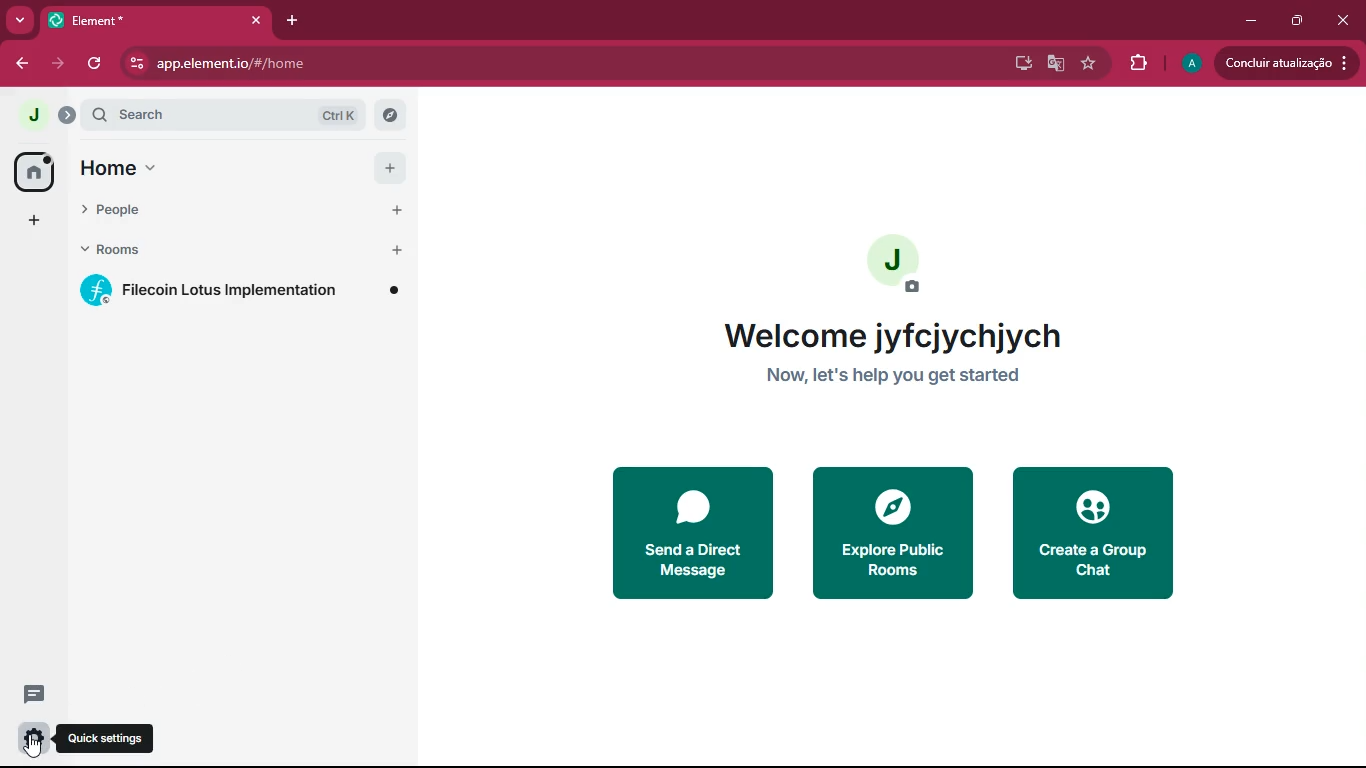  What do you see at coordinates (1021, 64) in the screenshot?
I see `desktop` at bounding box center [1021, 64].